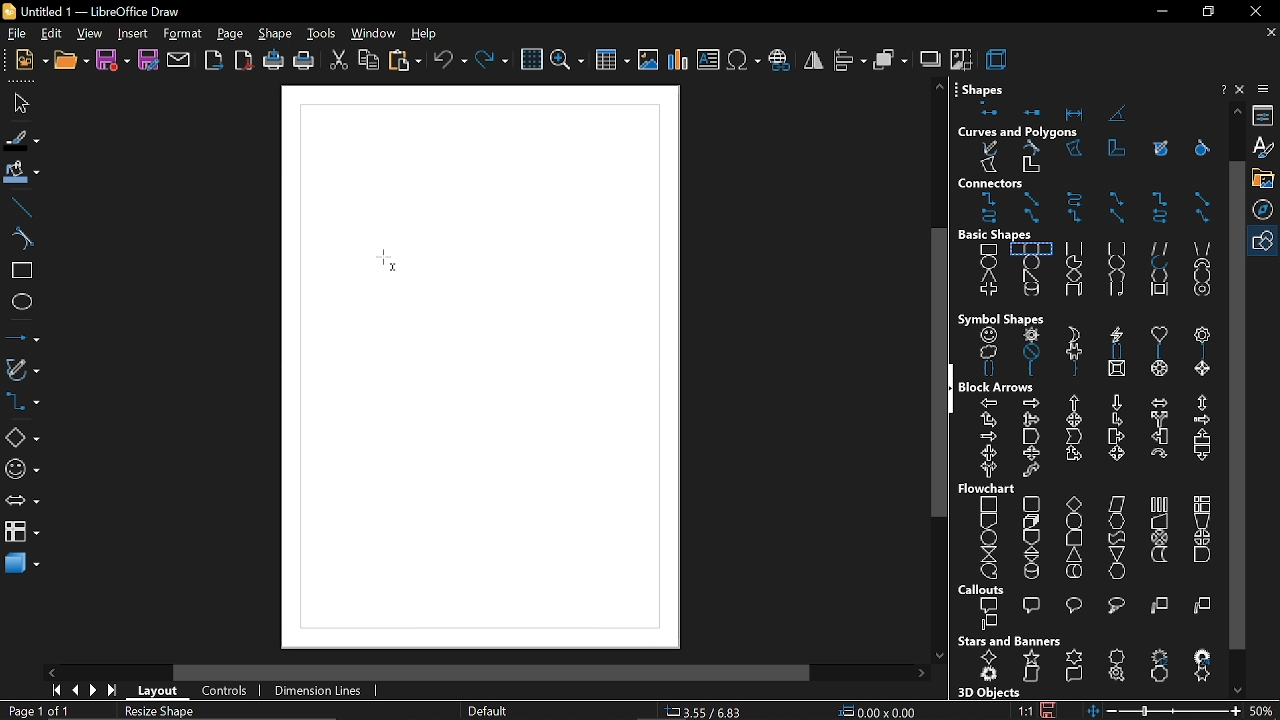 This screenshot has height=720, width=1280. I want to click on new, so click(27, 61).